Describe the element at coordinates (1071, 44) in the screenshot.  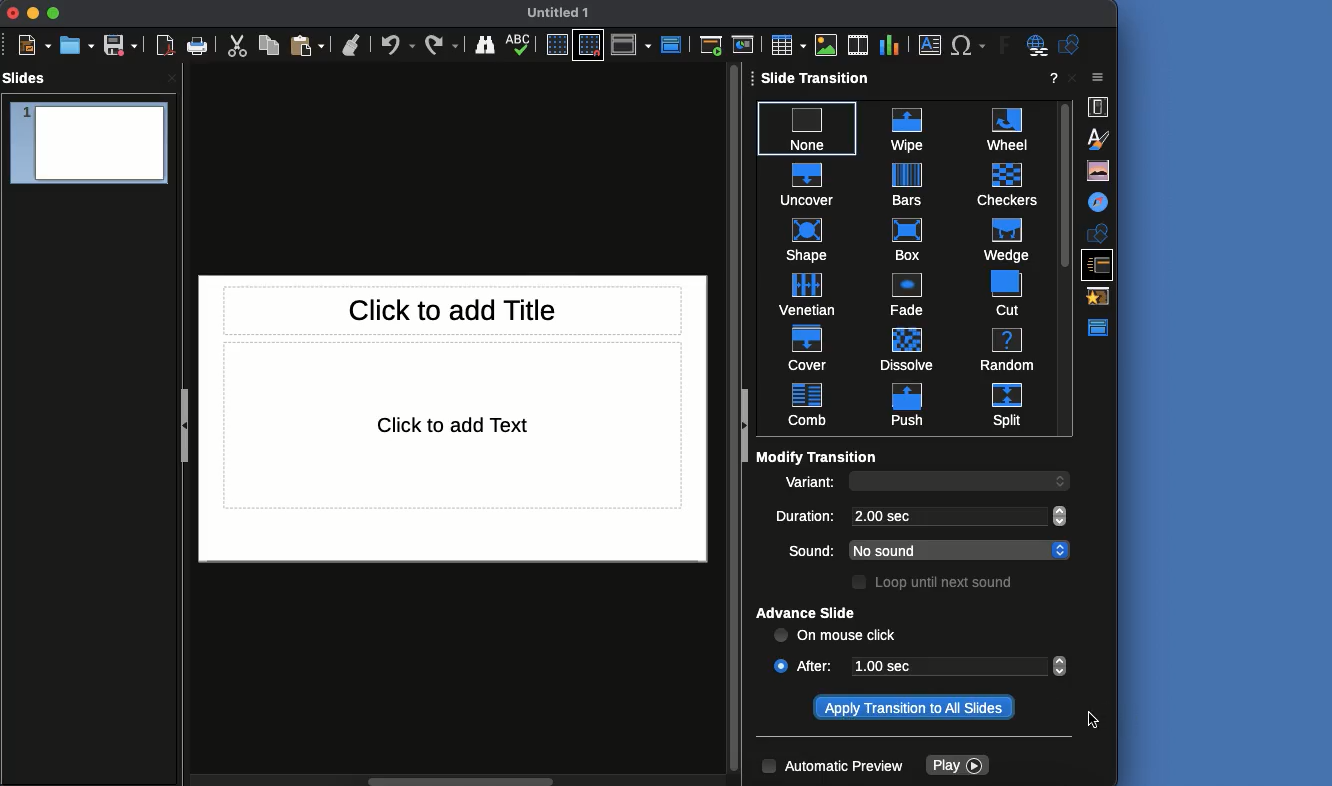
I see `Shapes` at that location.